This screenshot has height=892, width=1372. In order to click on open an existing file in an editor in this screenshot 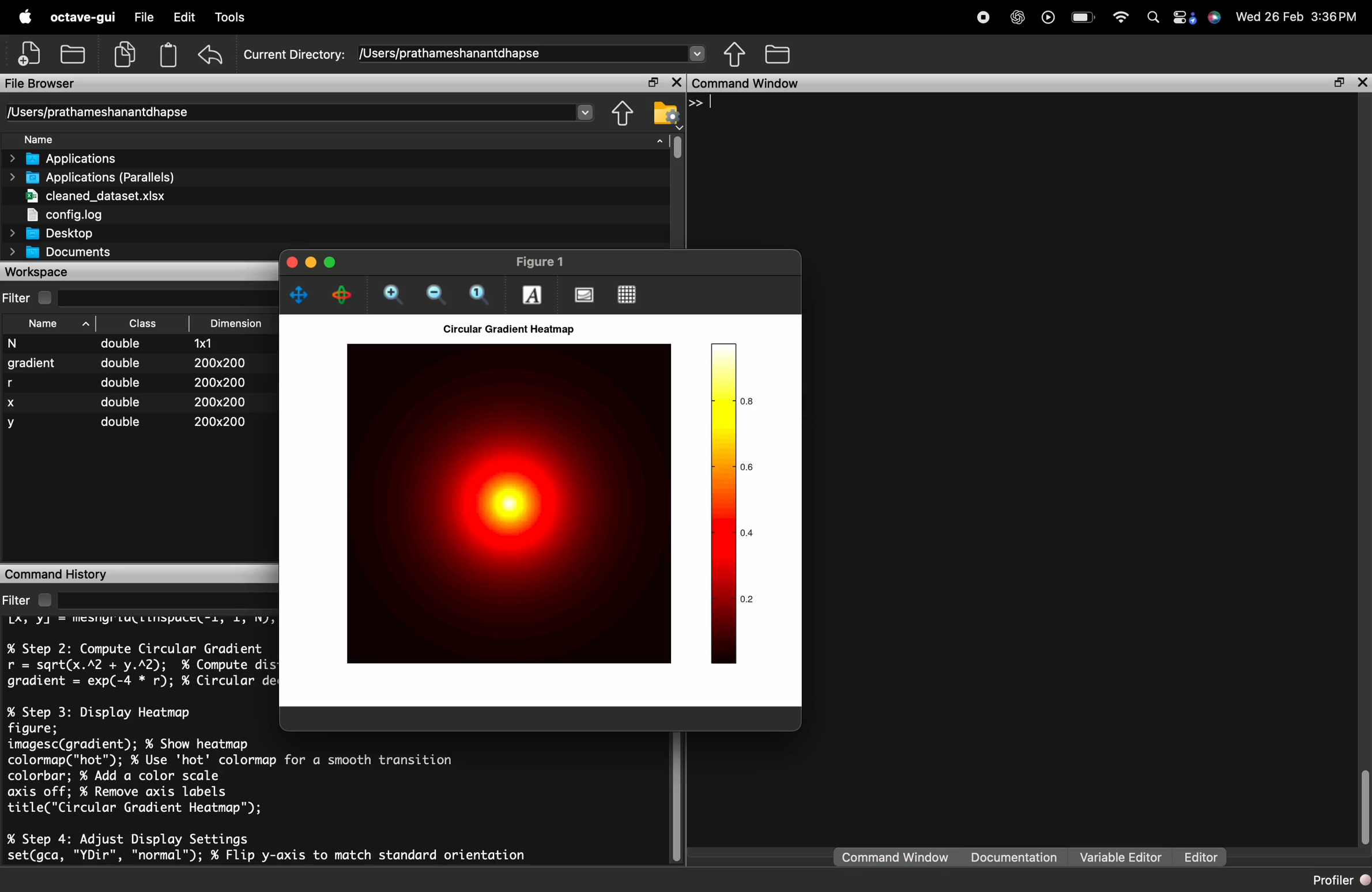, I will do `click(73, 54)`.